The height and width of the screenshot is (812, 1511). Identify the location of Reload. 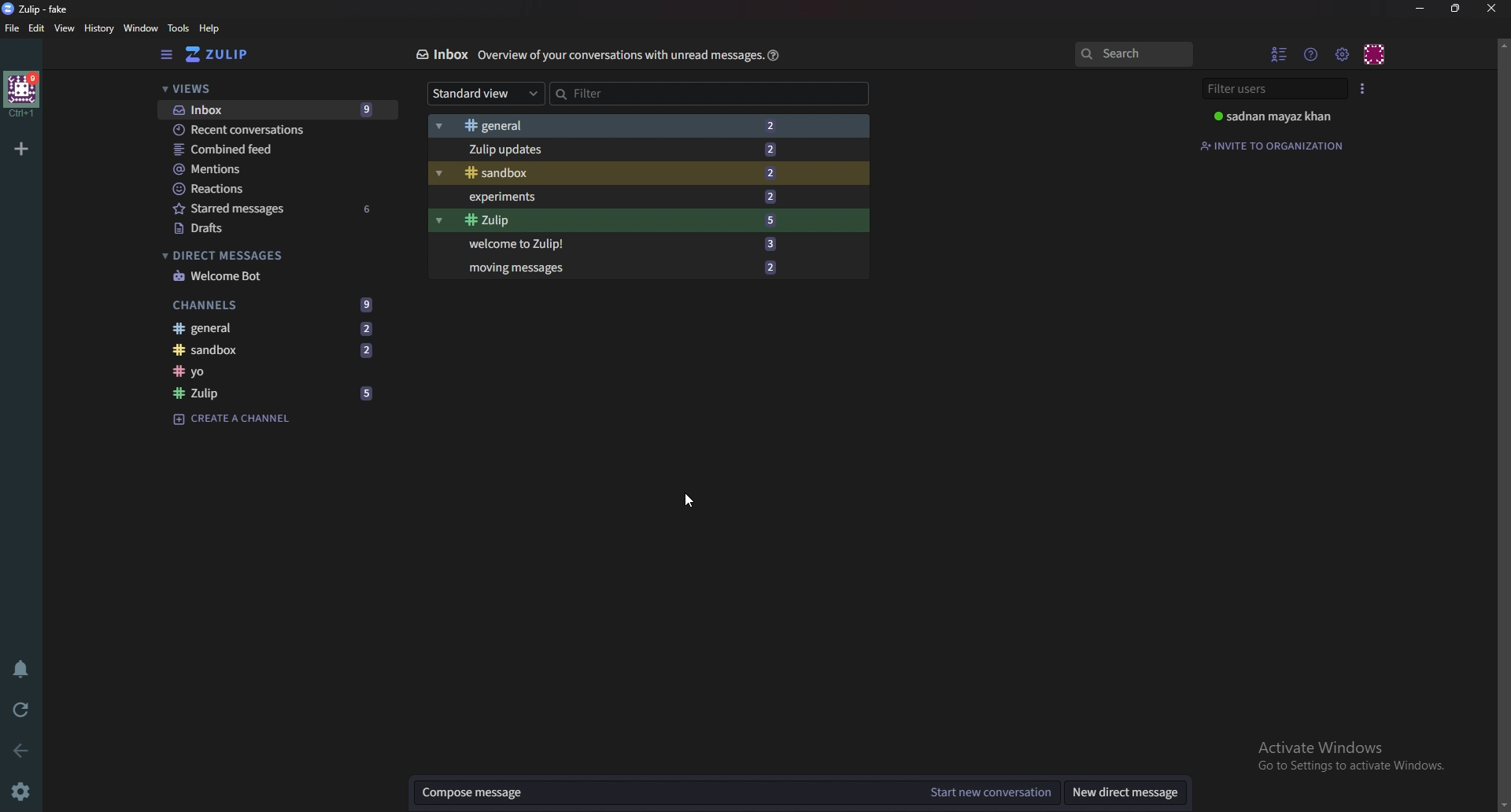
(22, 710).